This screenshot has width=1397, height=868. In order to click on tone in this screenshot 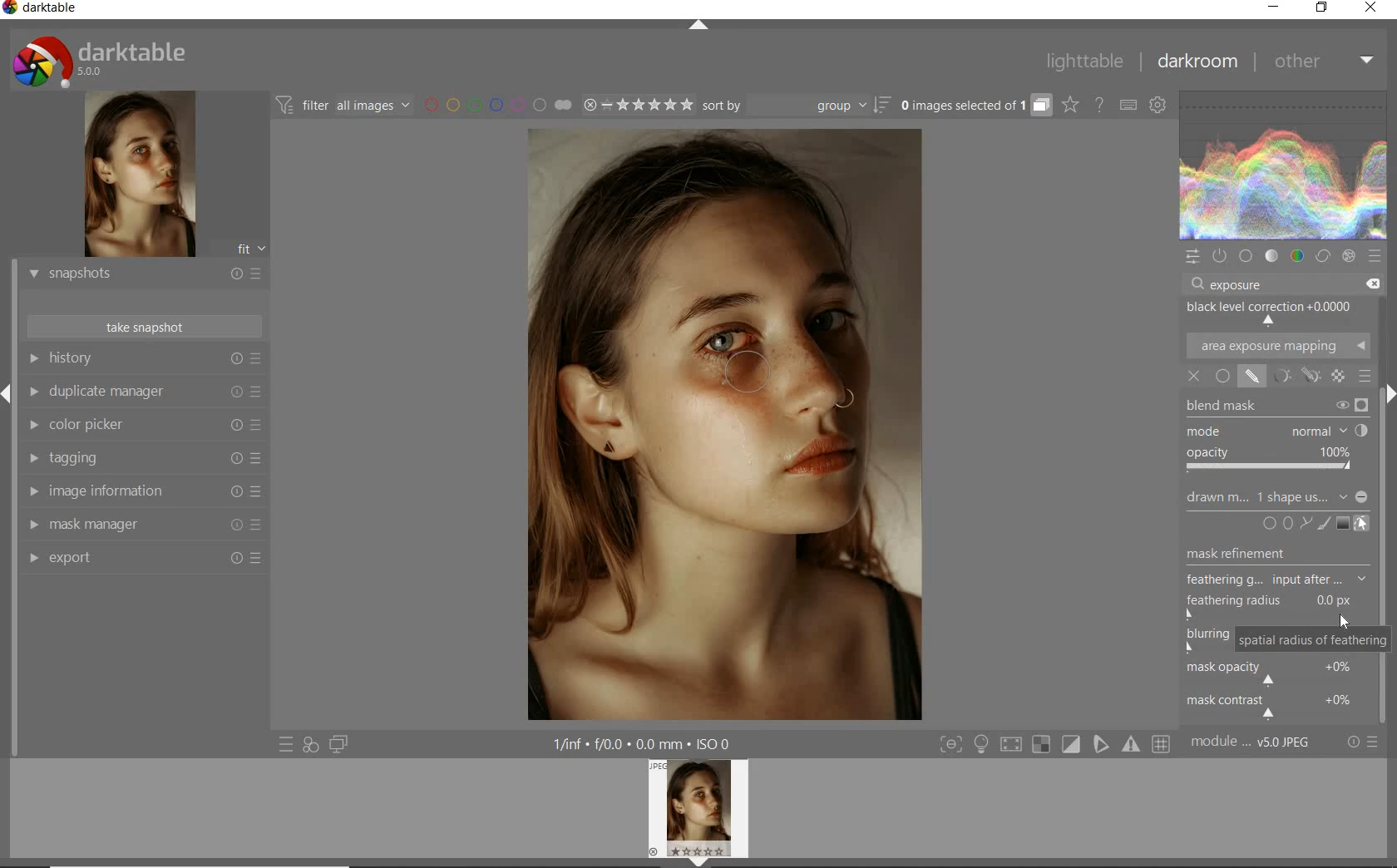, I will do `click(1271, 256)`.